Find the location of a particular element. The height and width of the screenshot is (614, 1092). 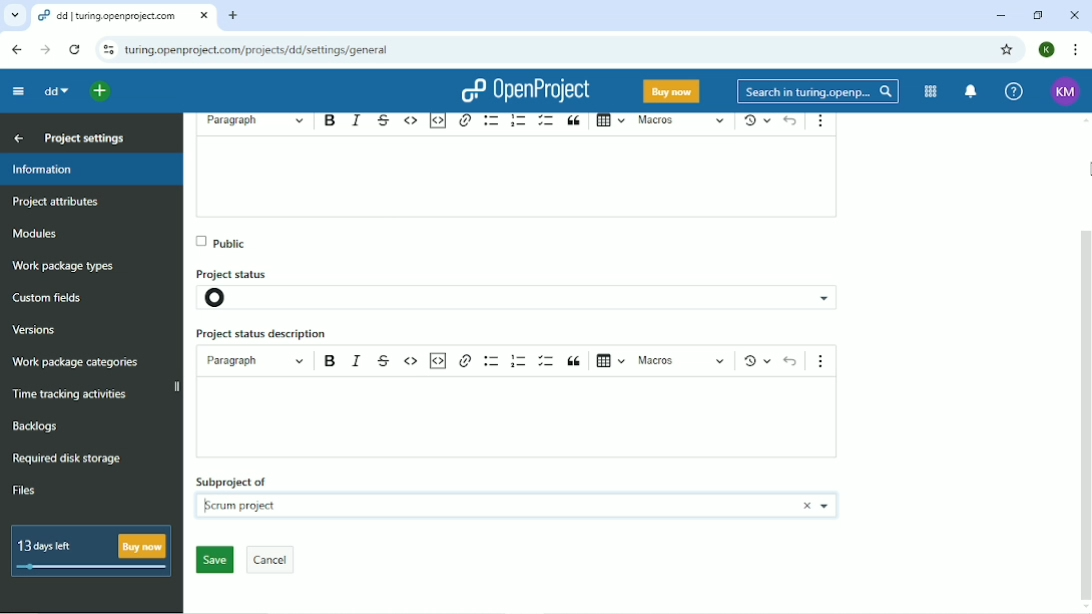

Insert table is located at coordinates (610, 121).